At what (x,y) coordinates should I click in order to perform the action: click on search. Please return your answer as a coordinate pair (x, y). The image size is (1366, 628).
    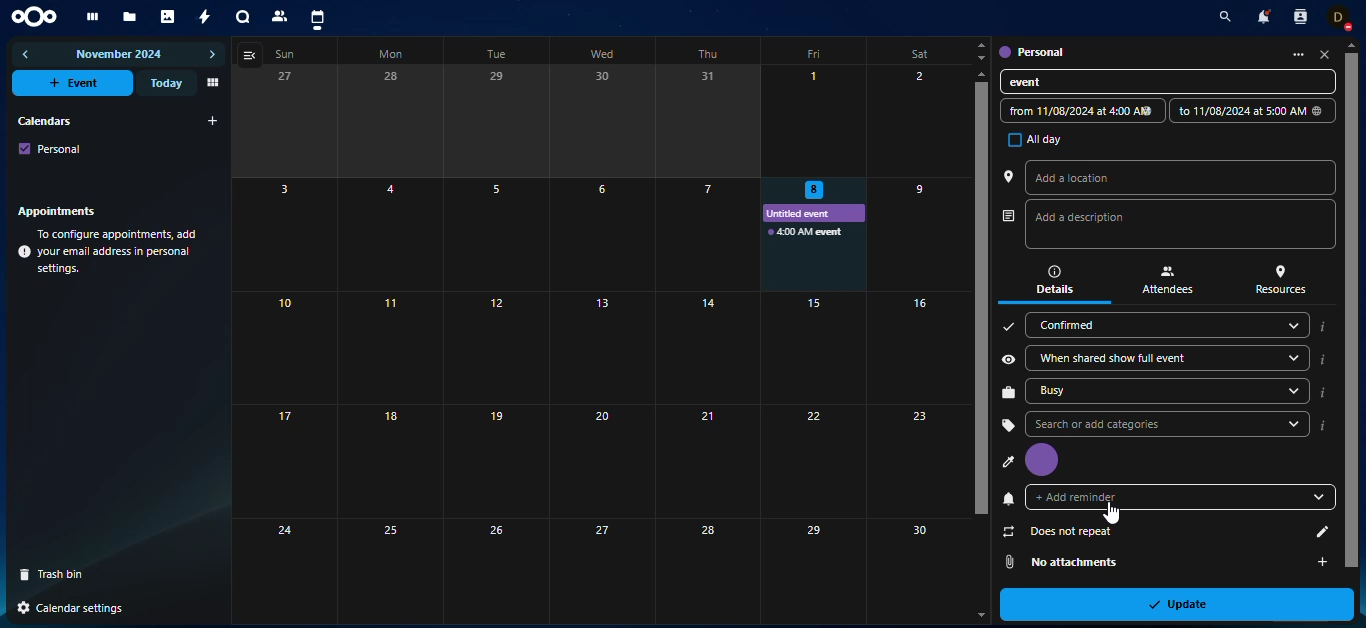
    Looking at the image, I should click on (1221, 18).